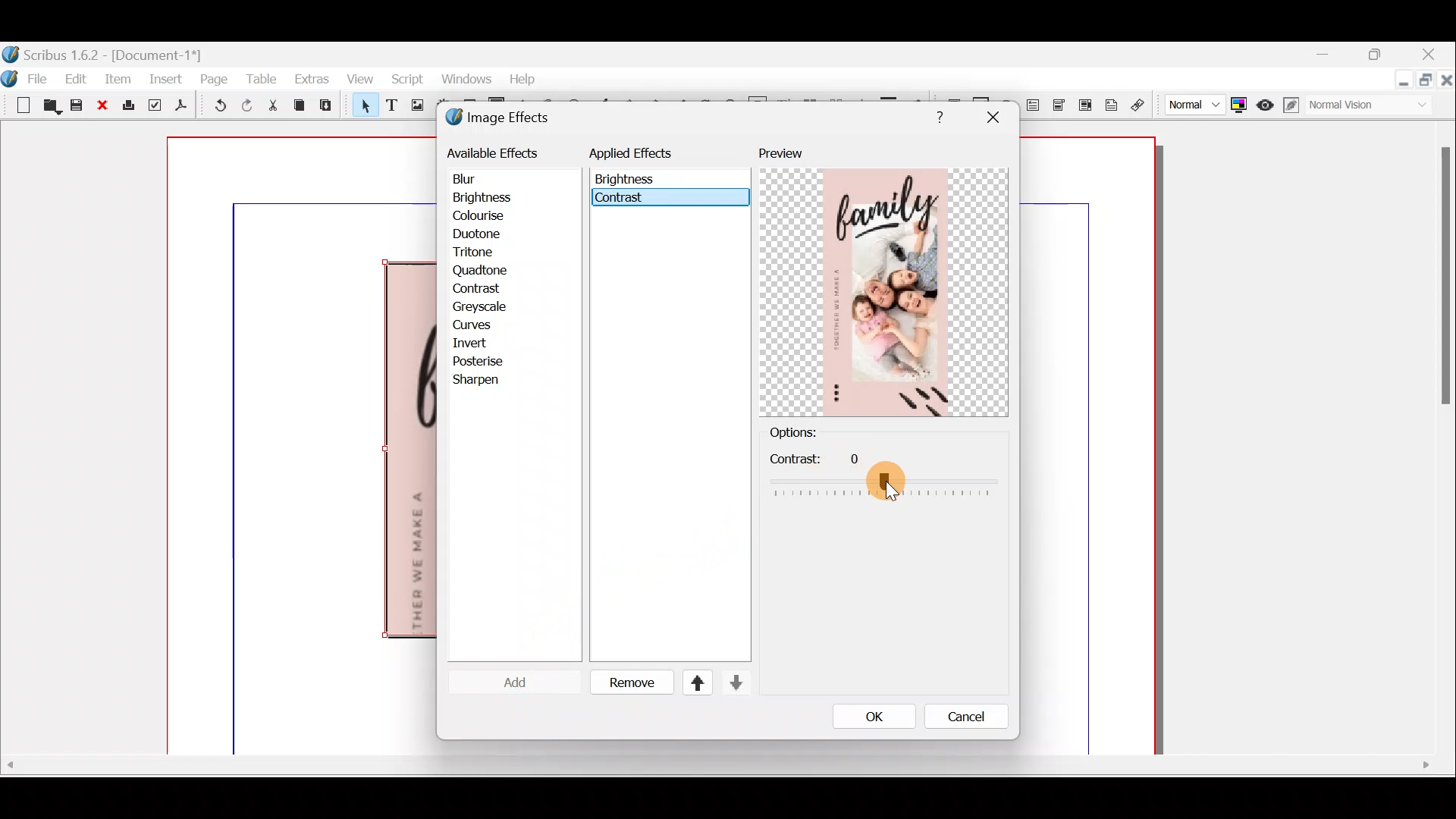 The height and width of the screenshot is (819, 1456). I want to click on Invert, so click(486, 344).